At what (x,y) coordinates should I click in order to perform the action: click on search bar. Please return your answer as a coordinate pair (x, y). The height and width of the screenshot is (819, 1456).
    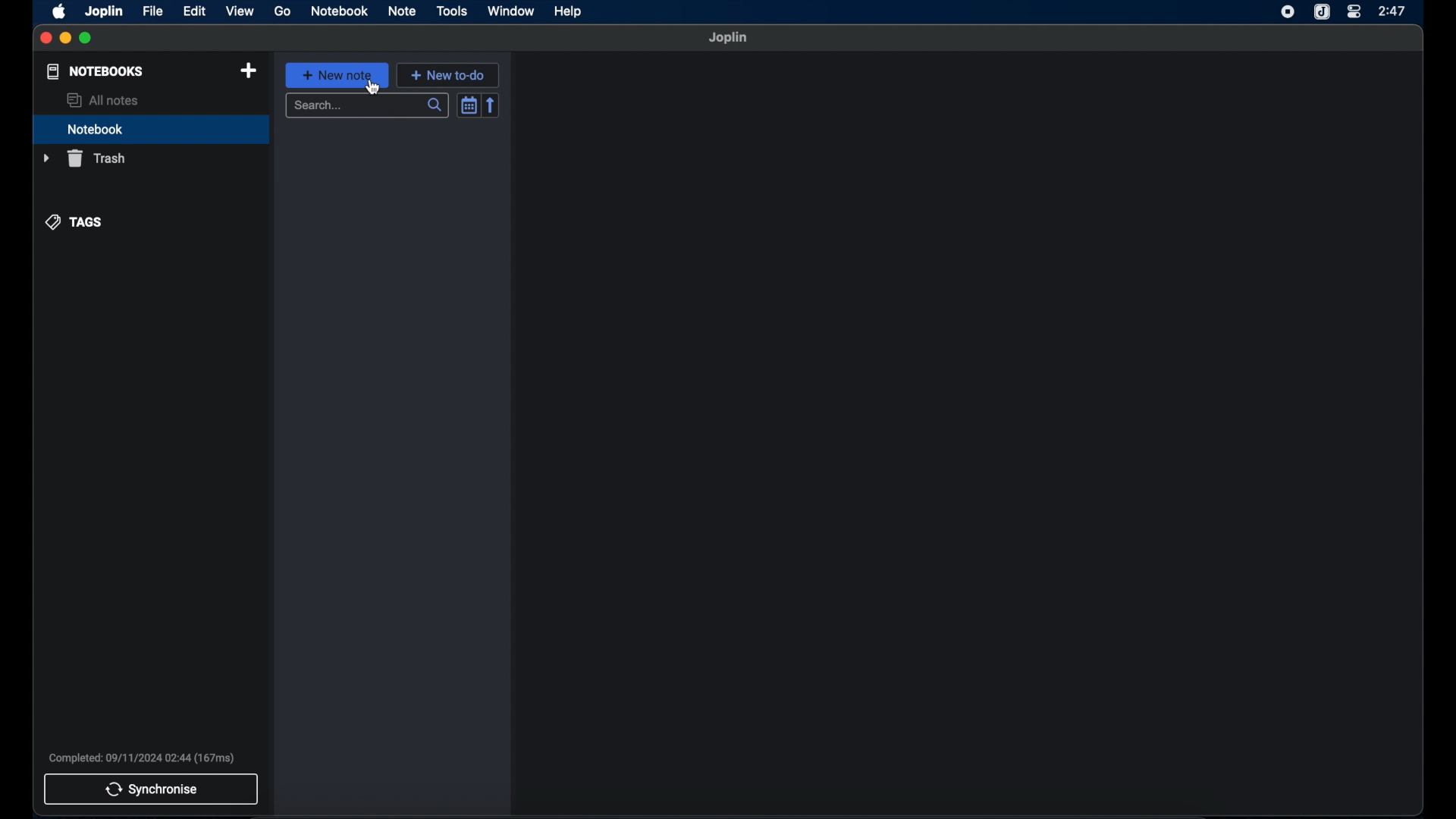
    Looking at the image, I should click on (368, 107).